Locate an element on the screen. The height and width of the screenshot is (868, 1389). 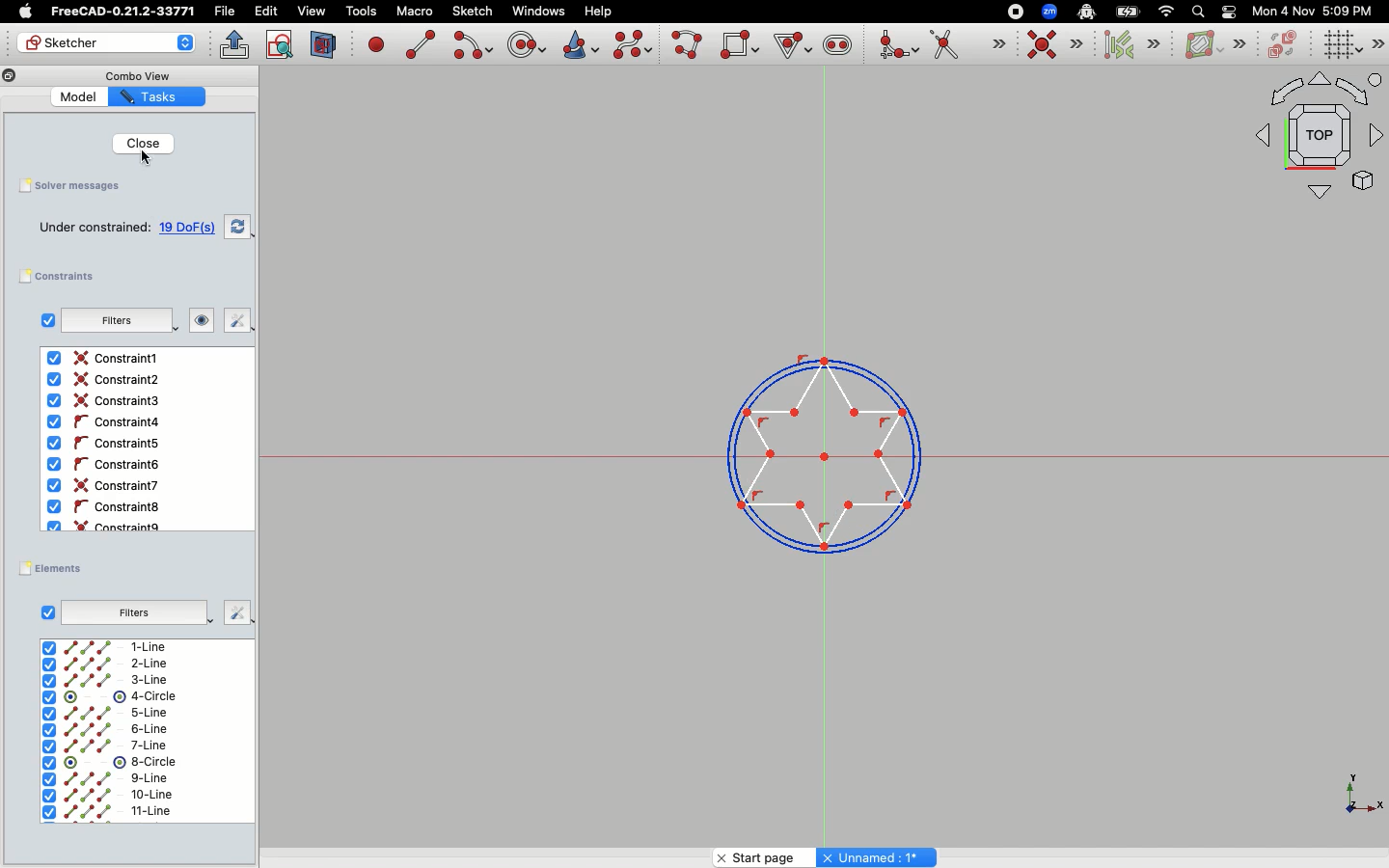
Create poly line is located at coordinates (688, 46).